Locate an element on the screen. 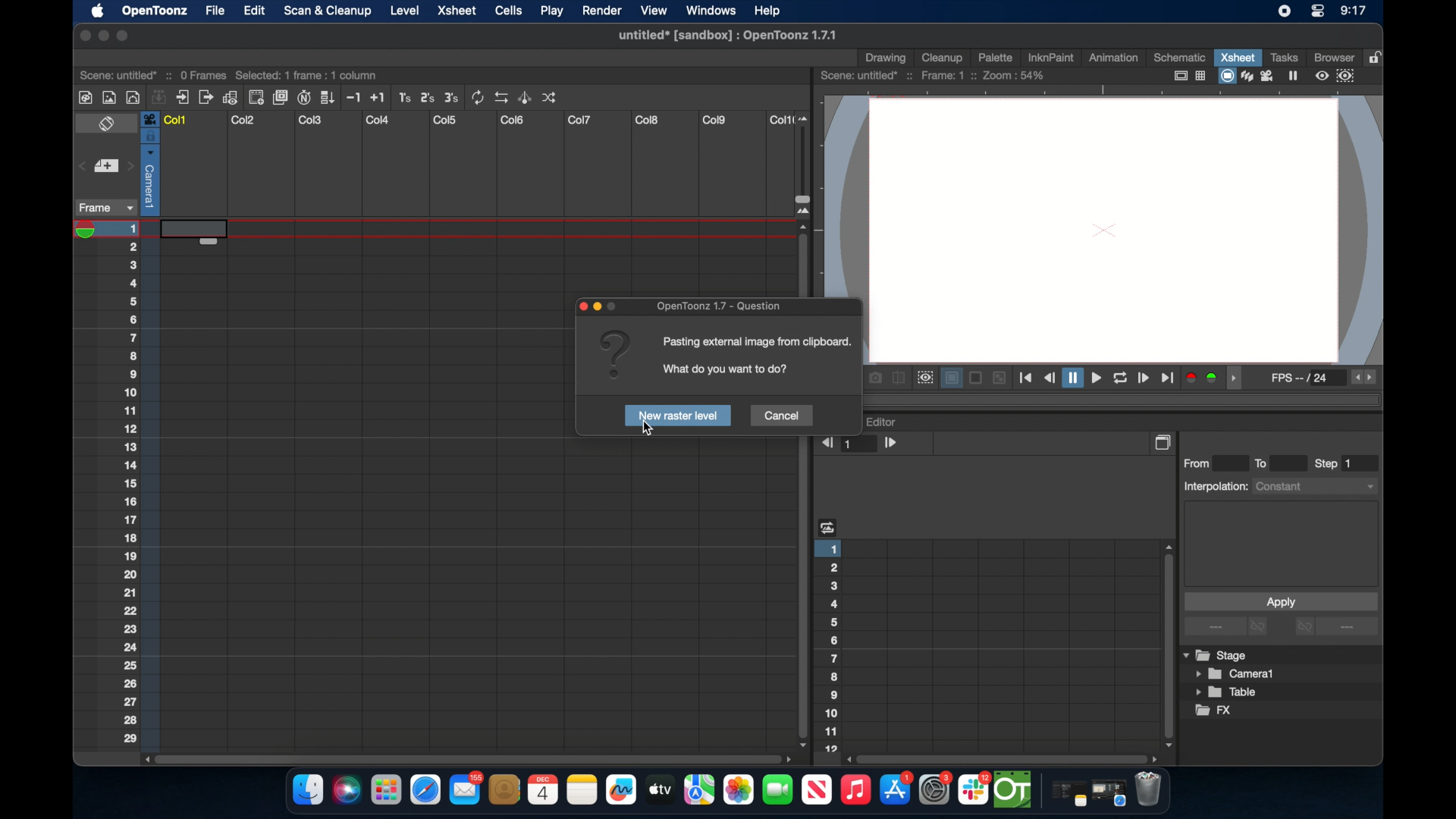 Image resolution: width=1456 pixels, height=819 pixels. column selected is located at coordinates (149, 163).